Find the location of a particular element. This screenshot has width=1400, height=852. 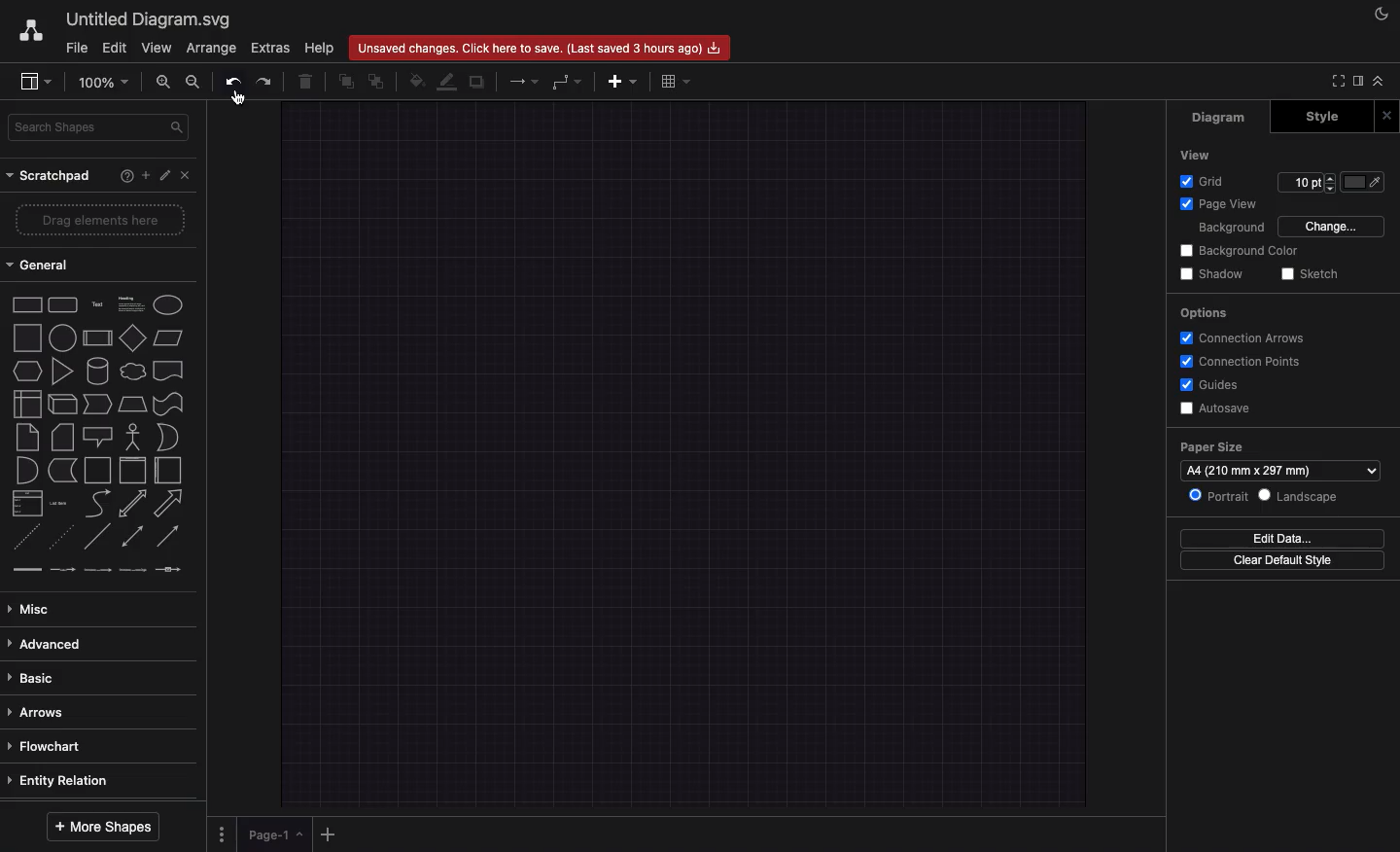

View is located at coordinates (1194, 155).